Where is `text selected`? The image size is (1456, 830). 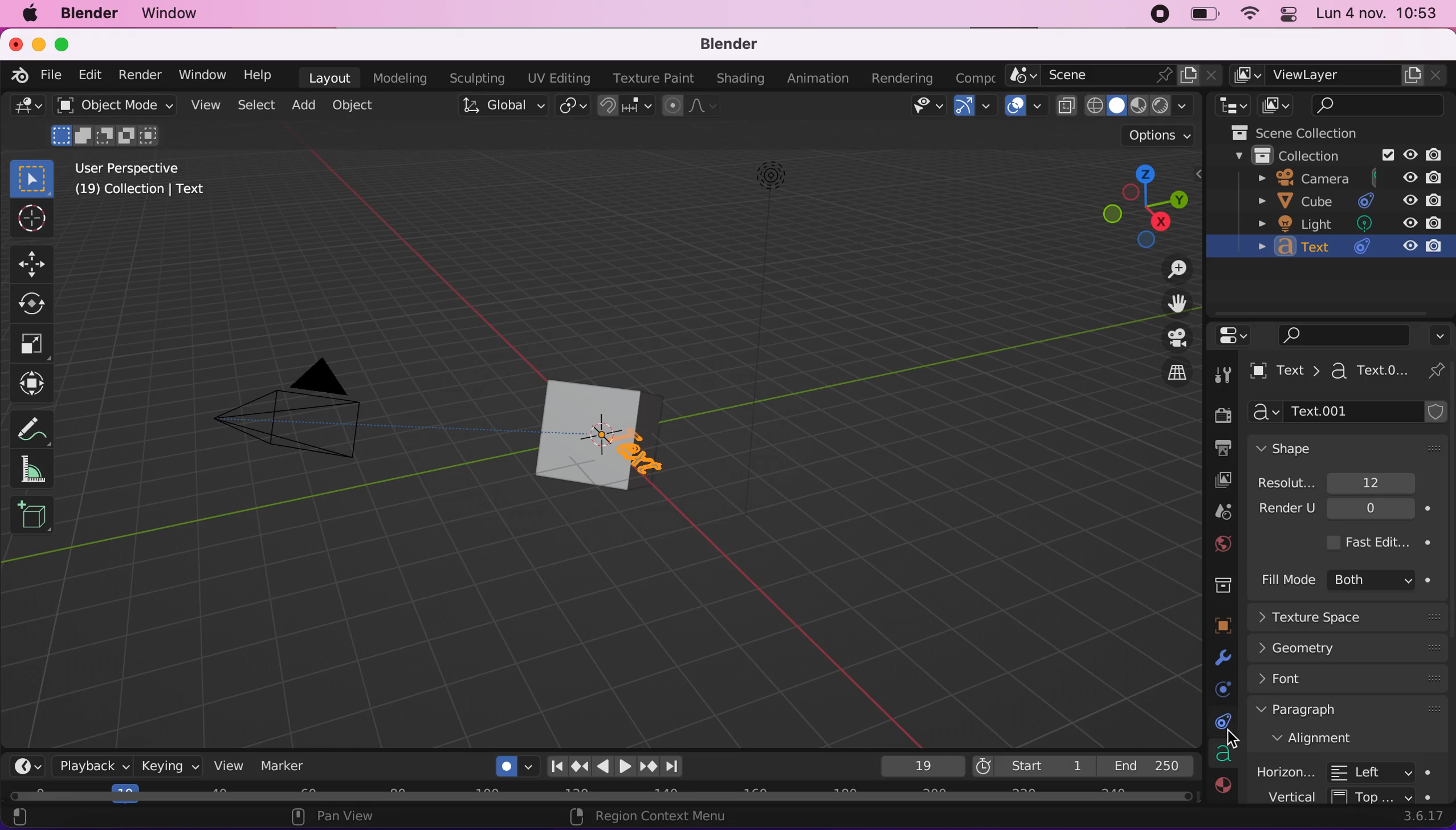
text selected is located at coordinates (646, 455).